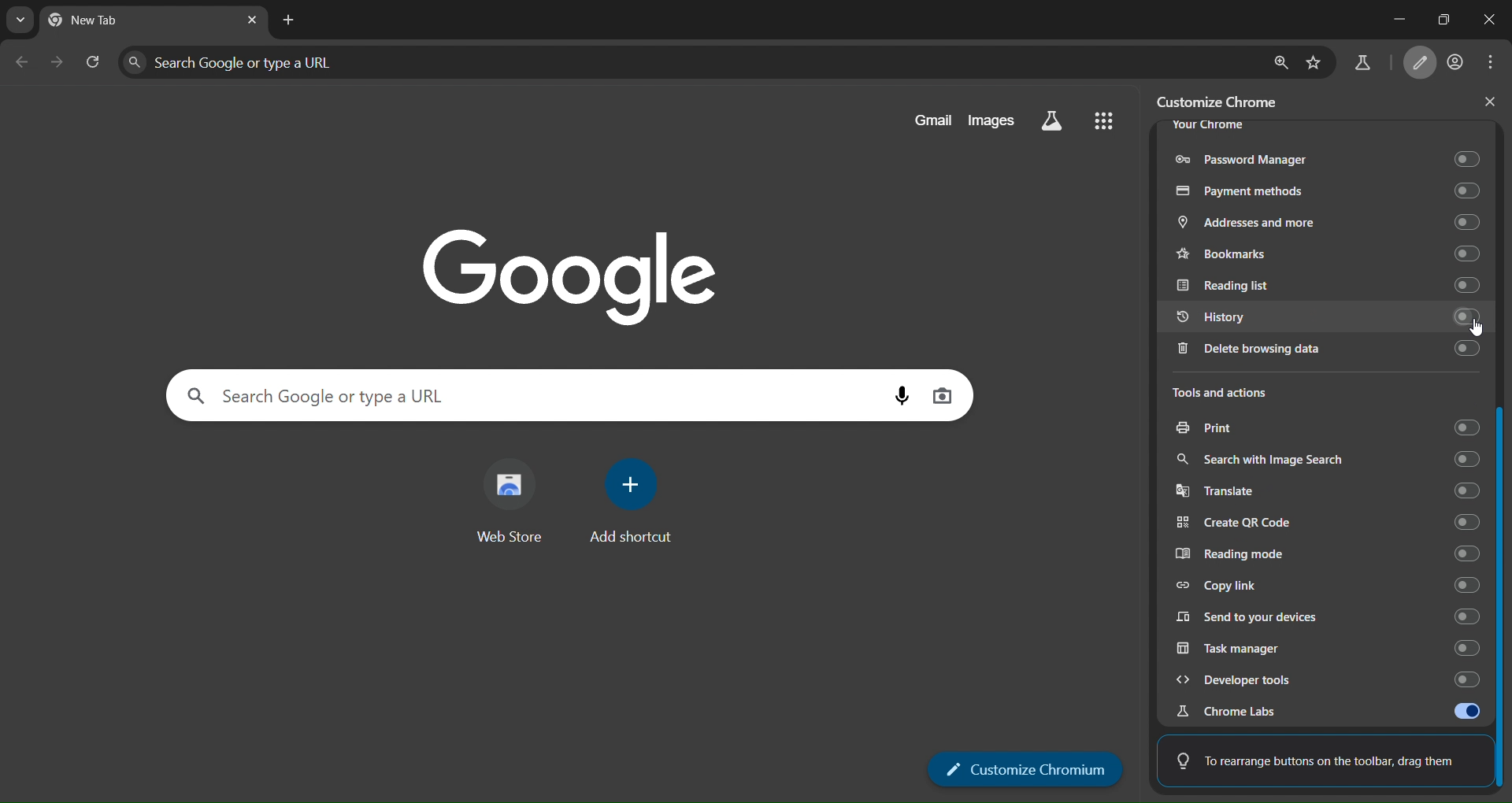  I want to click on close, so click(1490, 102).